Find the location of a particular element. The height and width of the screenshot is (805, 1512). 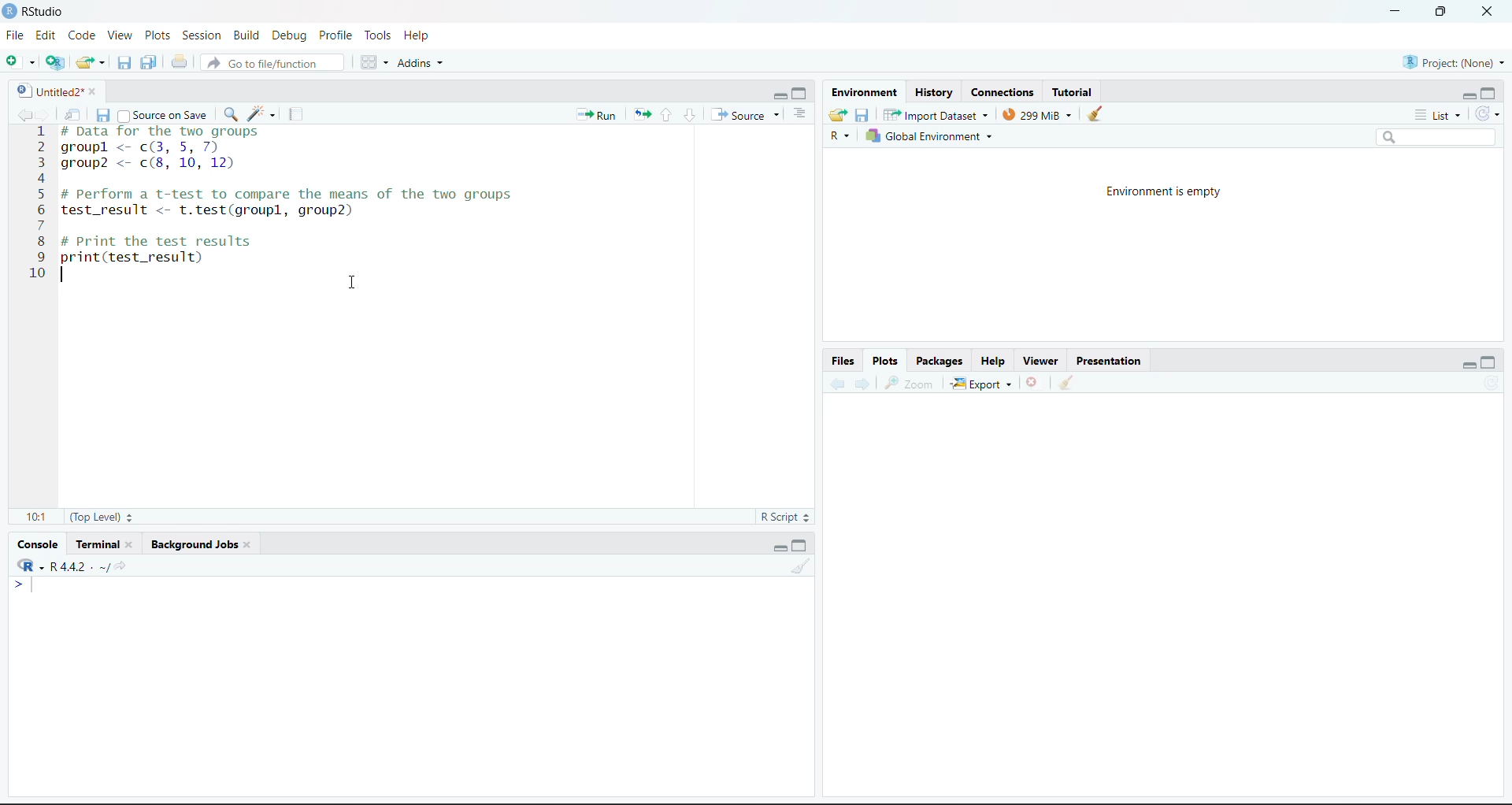

source on save is located at coordinates (162, 116).